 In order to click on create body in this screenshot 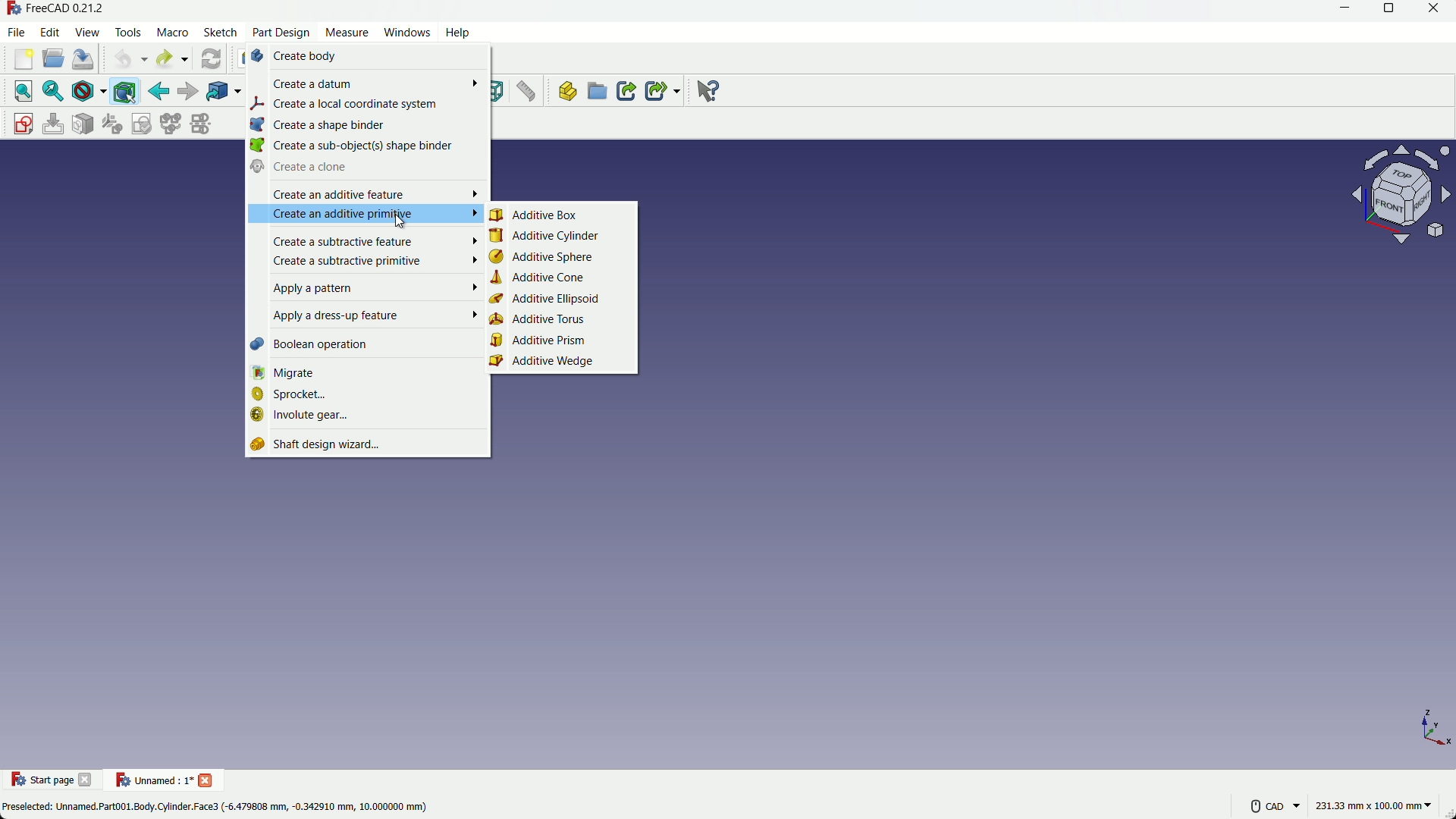, I will do `click(369, 58)`.